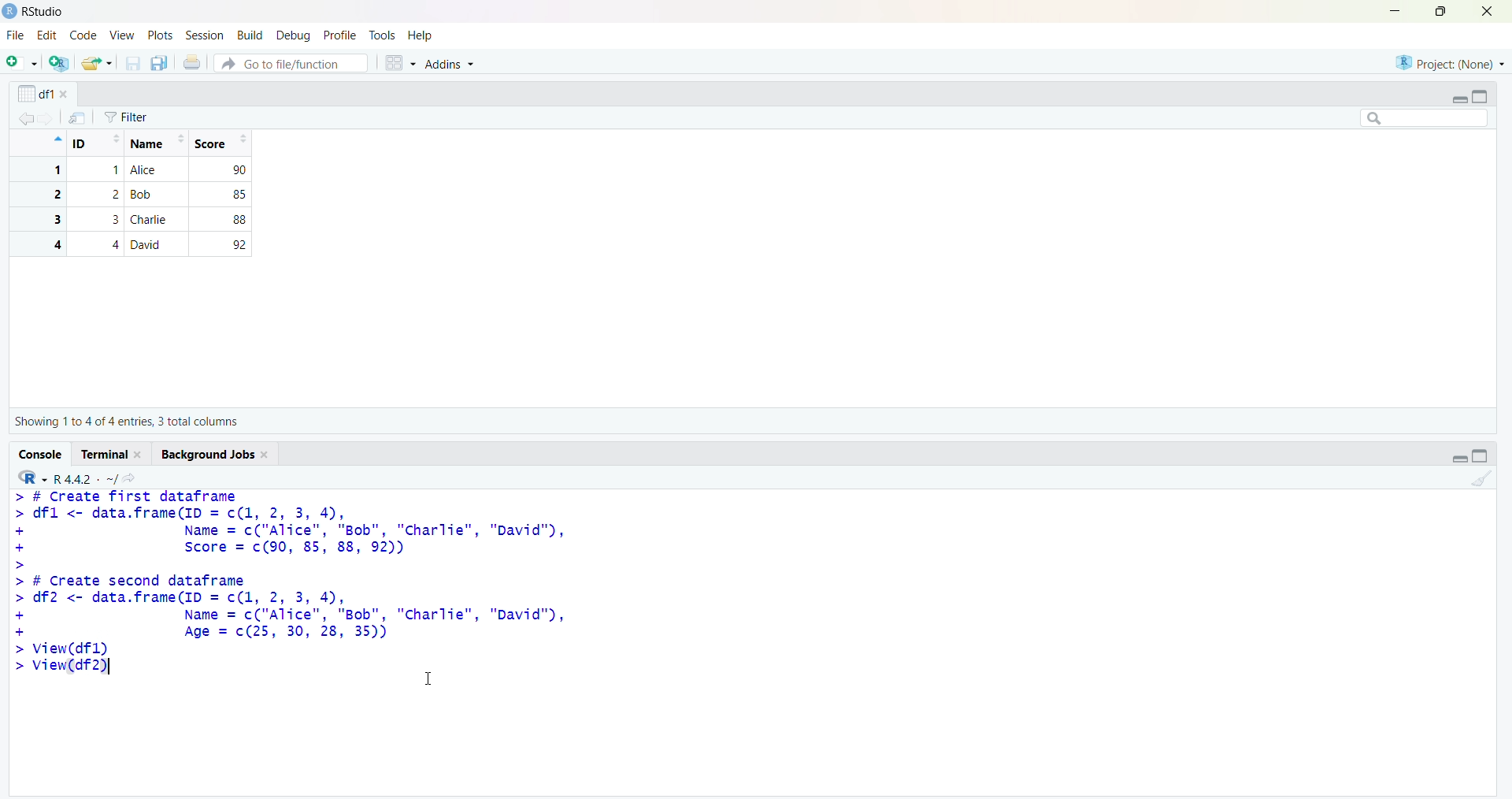 This screenshot has height=799, width=1512. Describe the element at coordinates (401, 63) in the screenshot. I see `grid` at that location.